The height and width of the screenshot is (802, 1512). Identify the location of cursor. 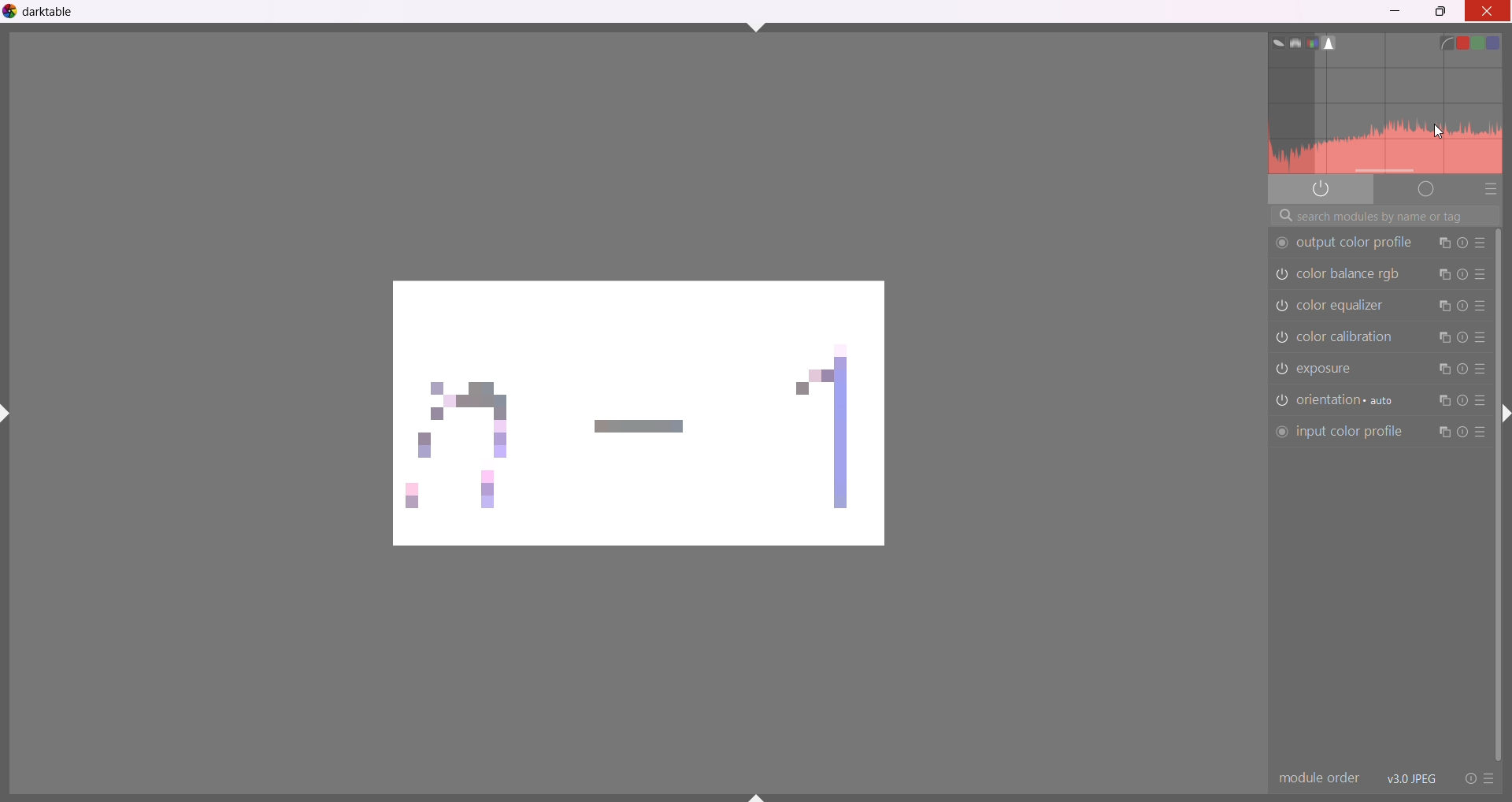
(1440, 133).